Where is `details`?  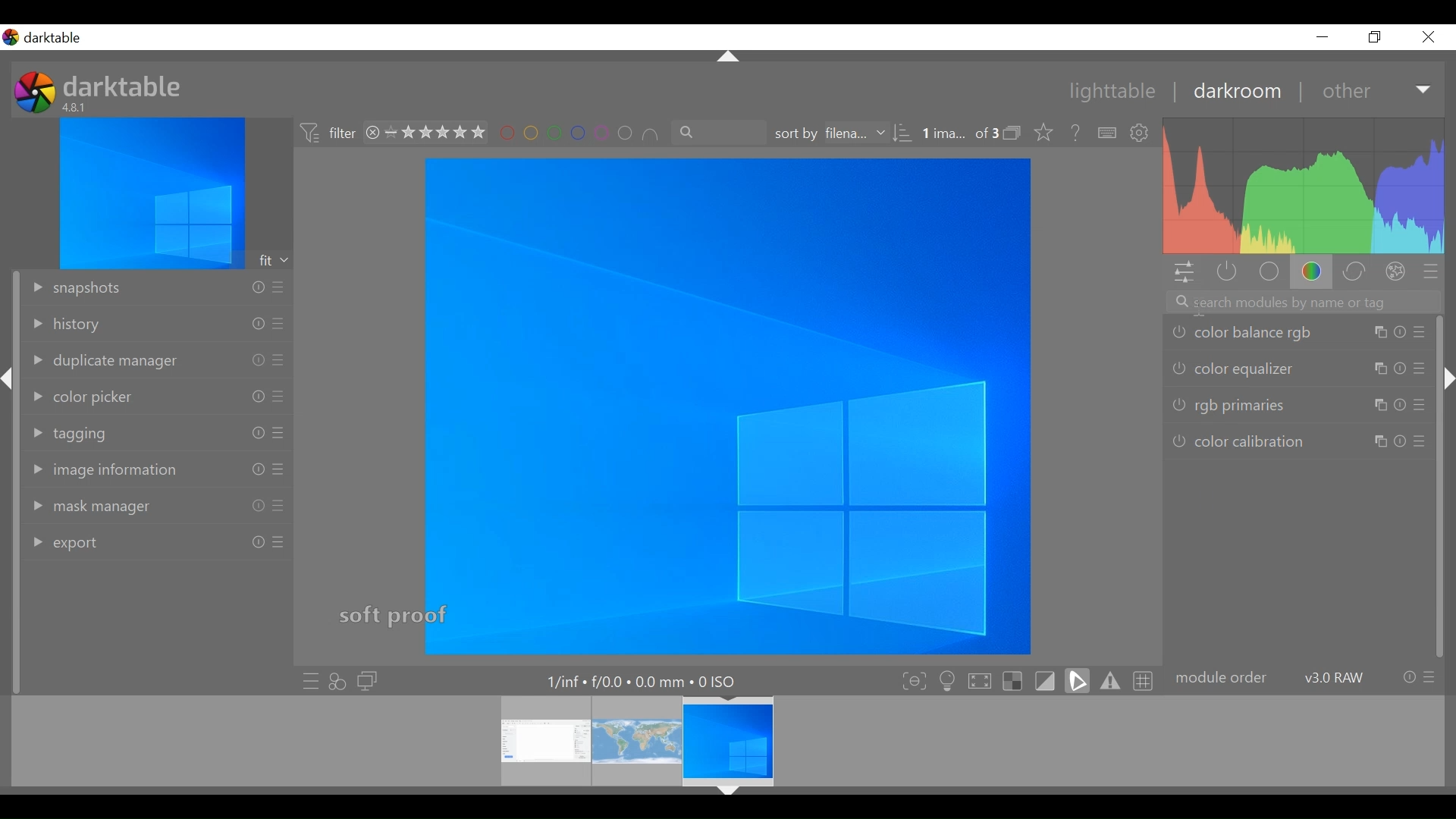
details is located at coordinates (645, 679).